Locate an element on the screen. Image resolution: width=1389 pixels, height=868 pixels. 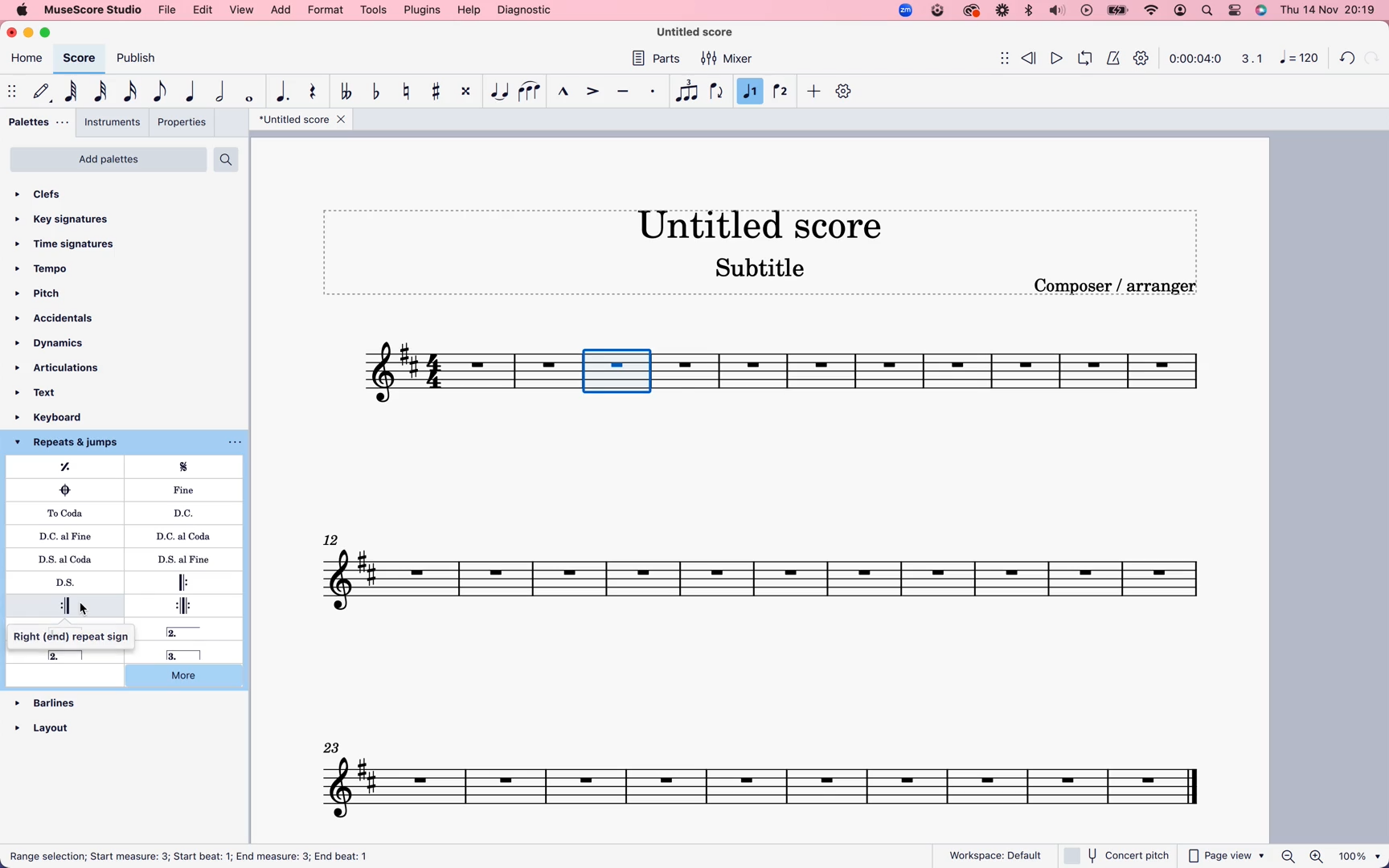
accent is located at coordinates (594, 91).